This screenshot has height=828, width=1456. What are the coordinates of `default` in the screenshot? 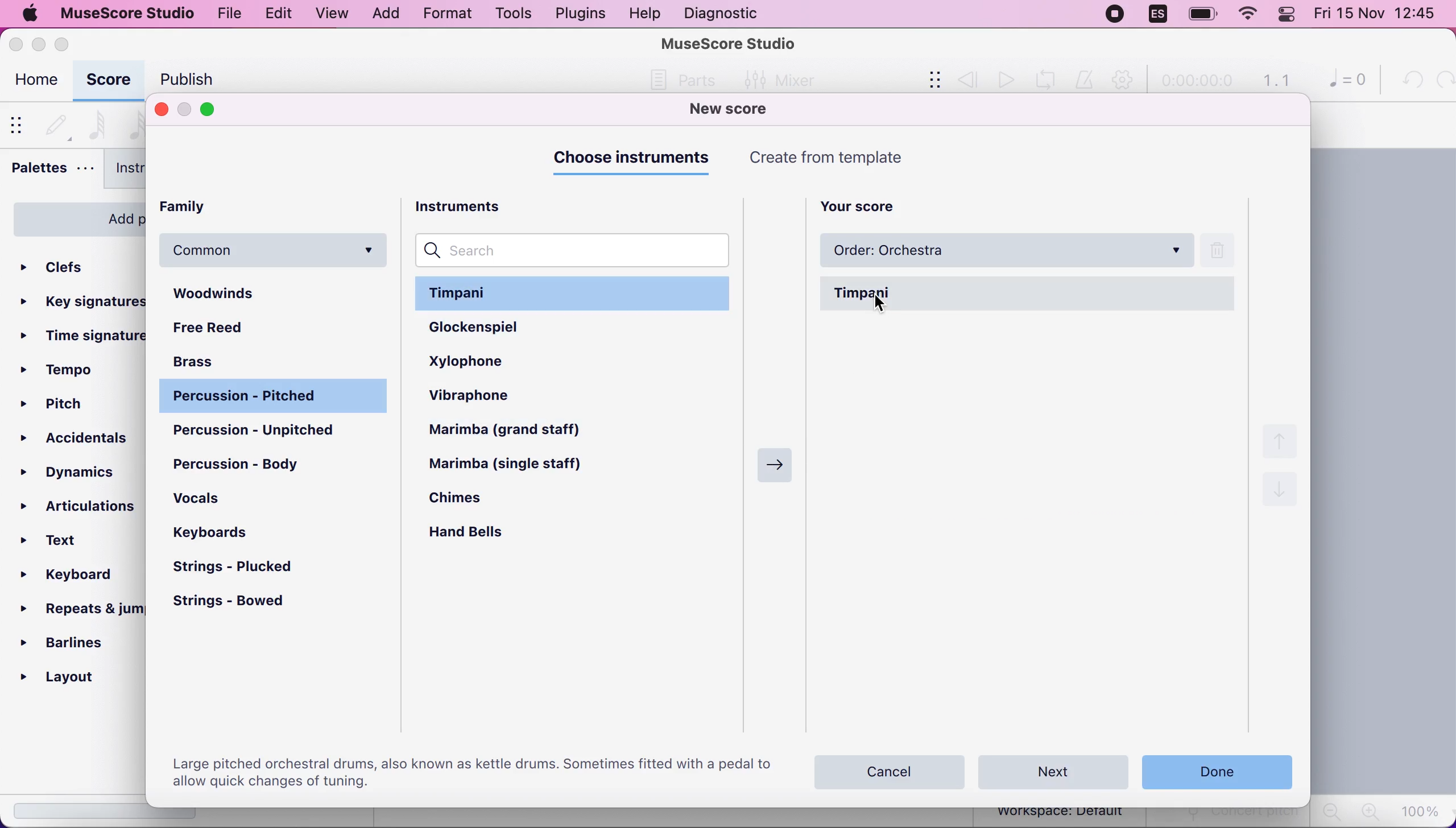 It's located at (56, 122).